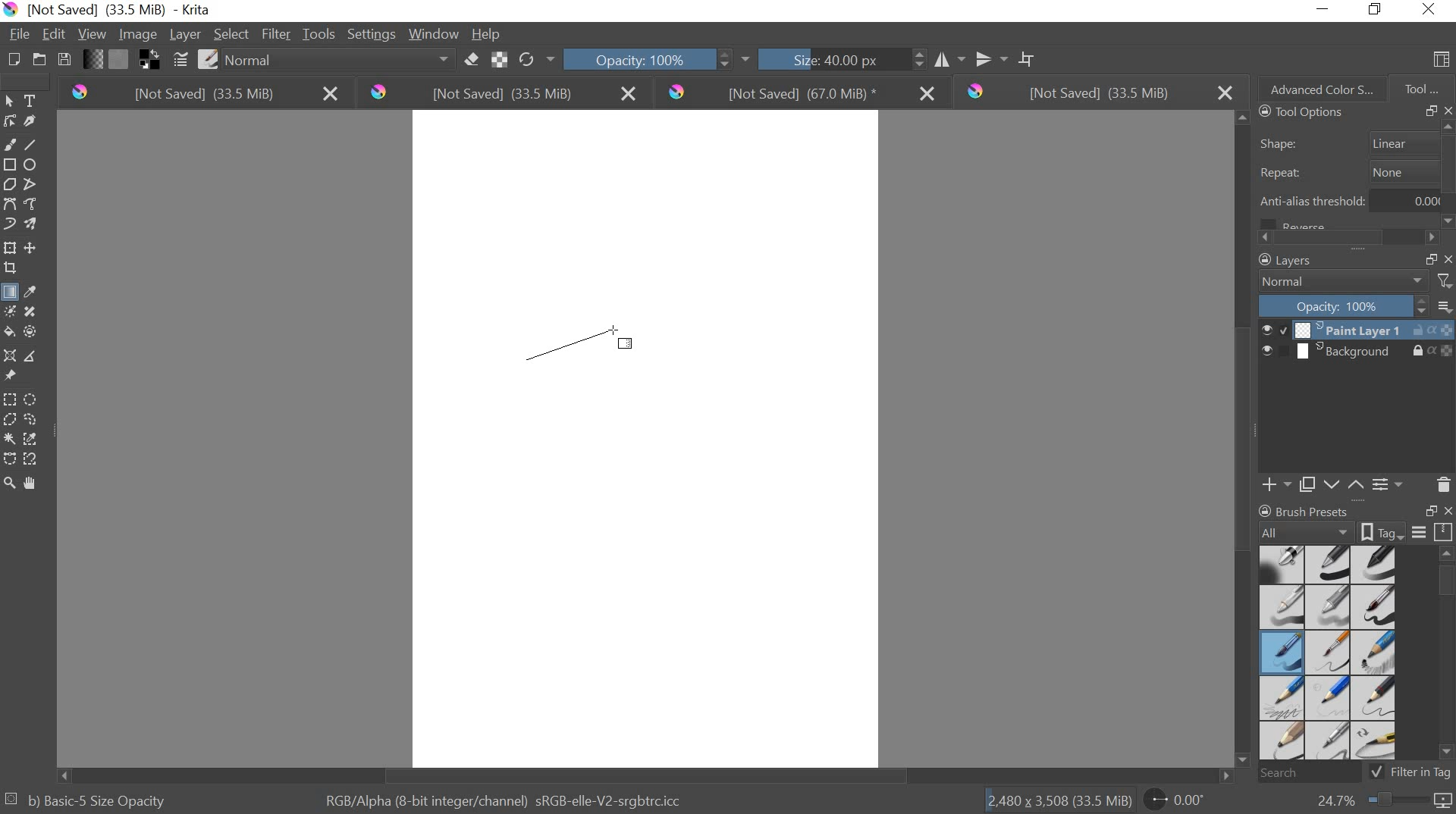  What do you see at coordinates (178, 60) in the screenshot?
I see `EDIT BRUSH SETTINGS` at bounding box center [178, 60].